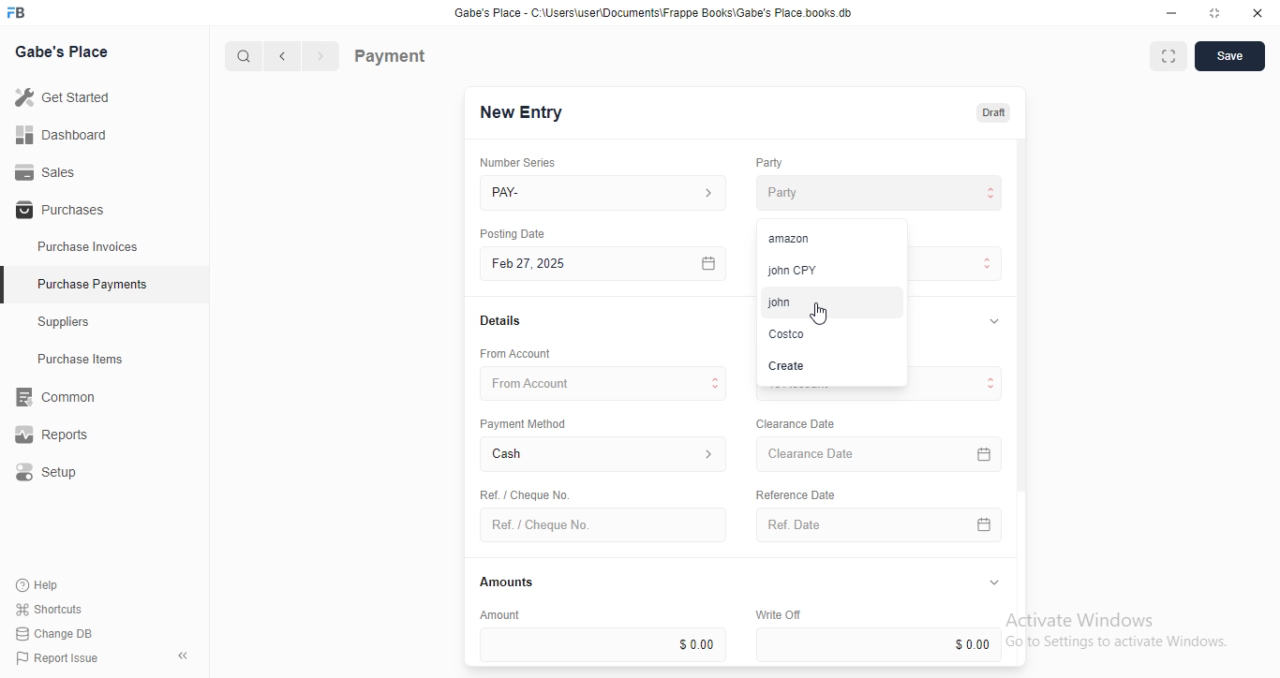 The width and height of the screenshot is (1280, 678). What do you see at coordinates (22, 13) in the screenshot?
I see `logo` at bounding box center [22, 13].